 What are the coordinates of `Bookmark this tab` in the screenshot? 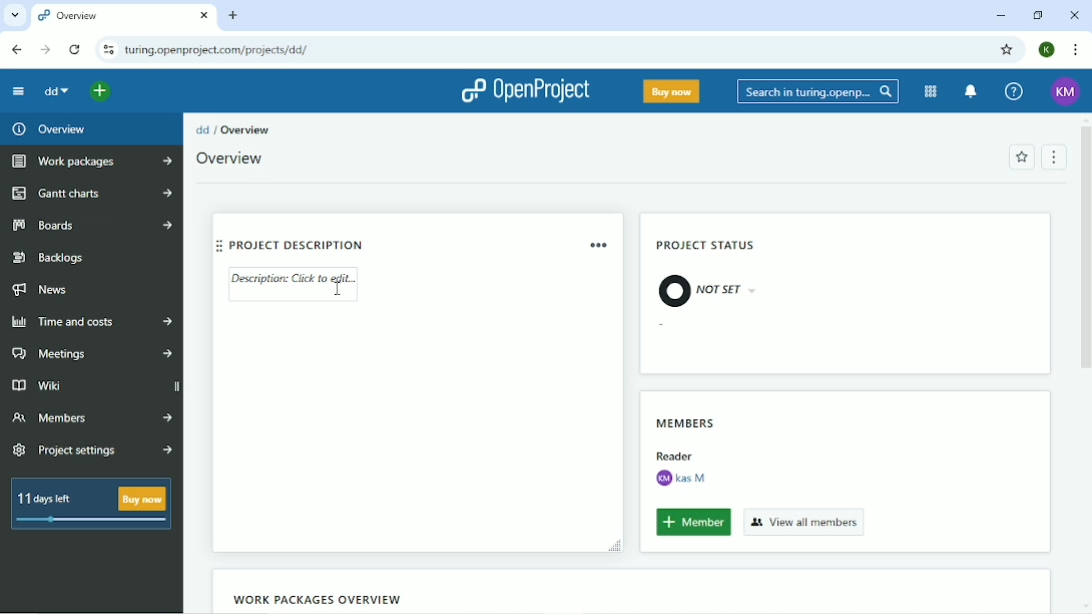 It's located at (1006, 49).